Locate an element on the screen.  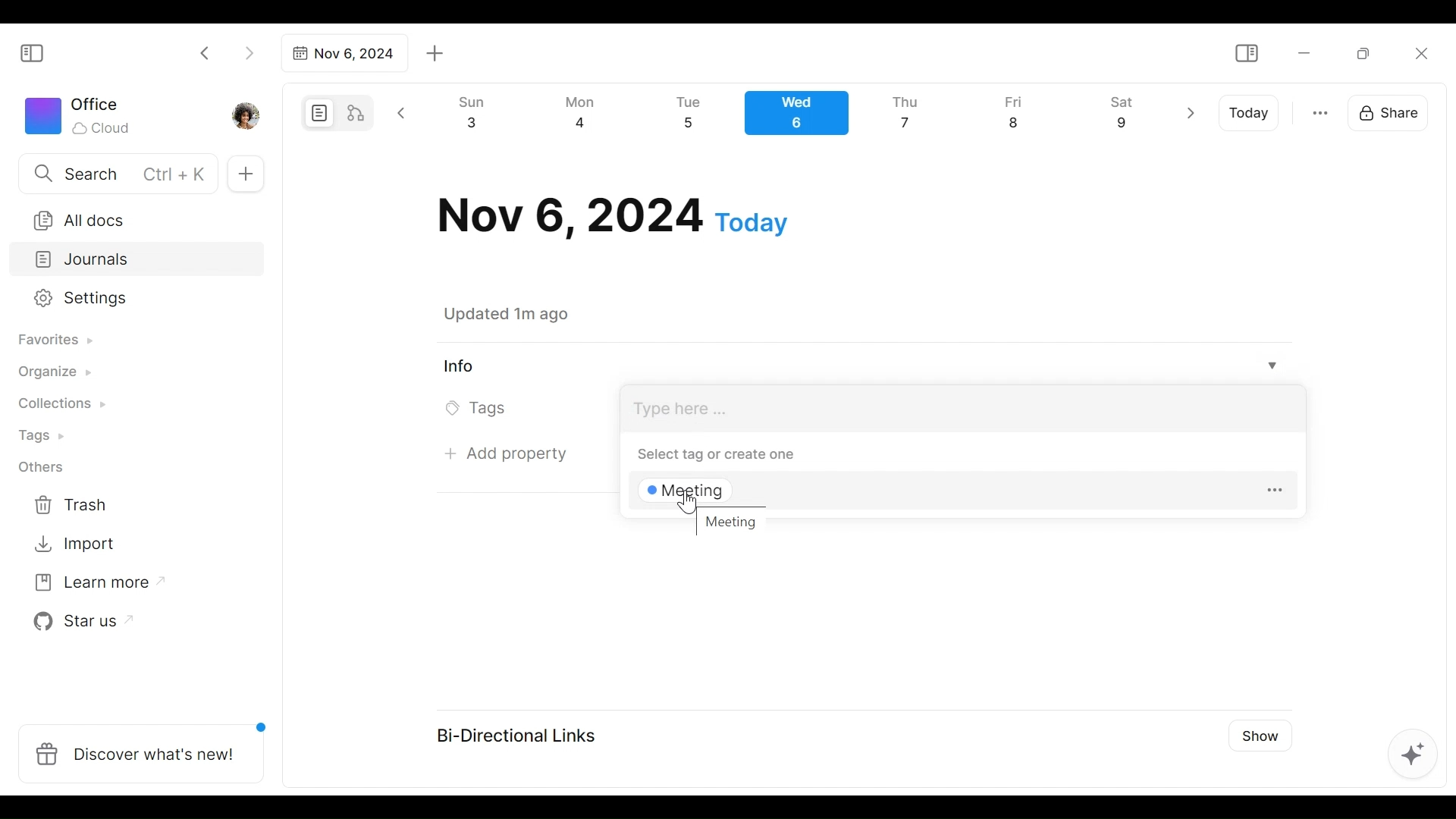
Workspace icon is located at coordinates (80, 114).